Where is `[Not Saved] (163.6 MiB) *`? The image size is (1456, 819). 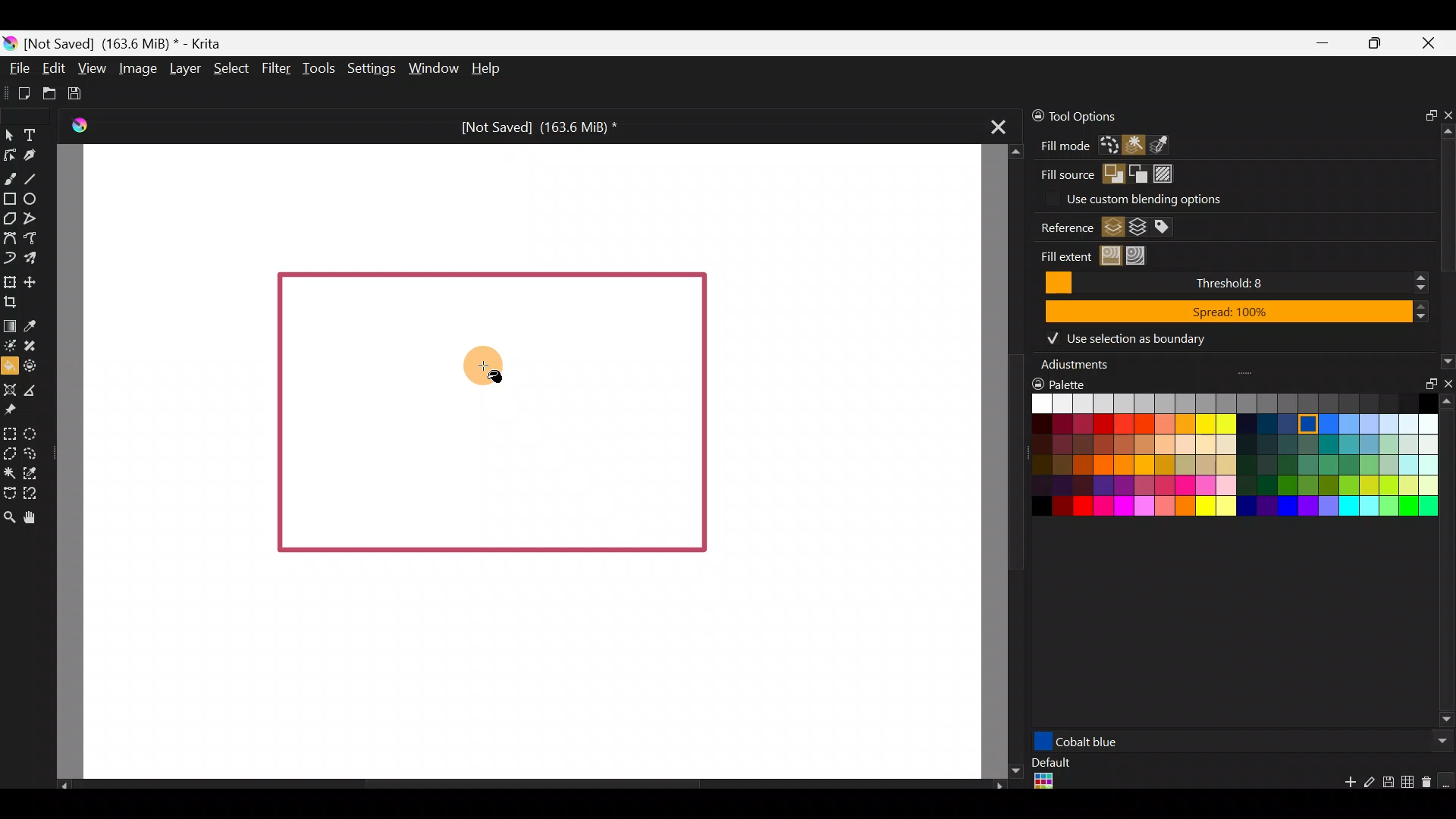 [Not Saved] (163.6 MiB) * is located at coordinates (537, 124).